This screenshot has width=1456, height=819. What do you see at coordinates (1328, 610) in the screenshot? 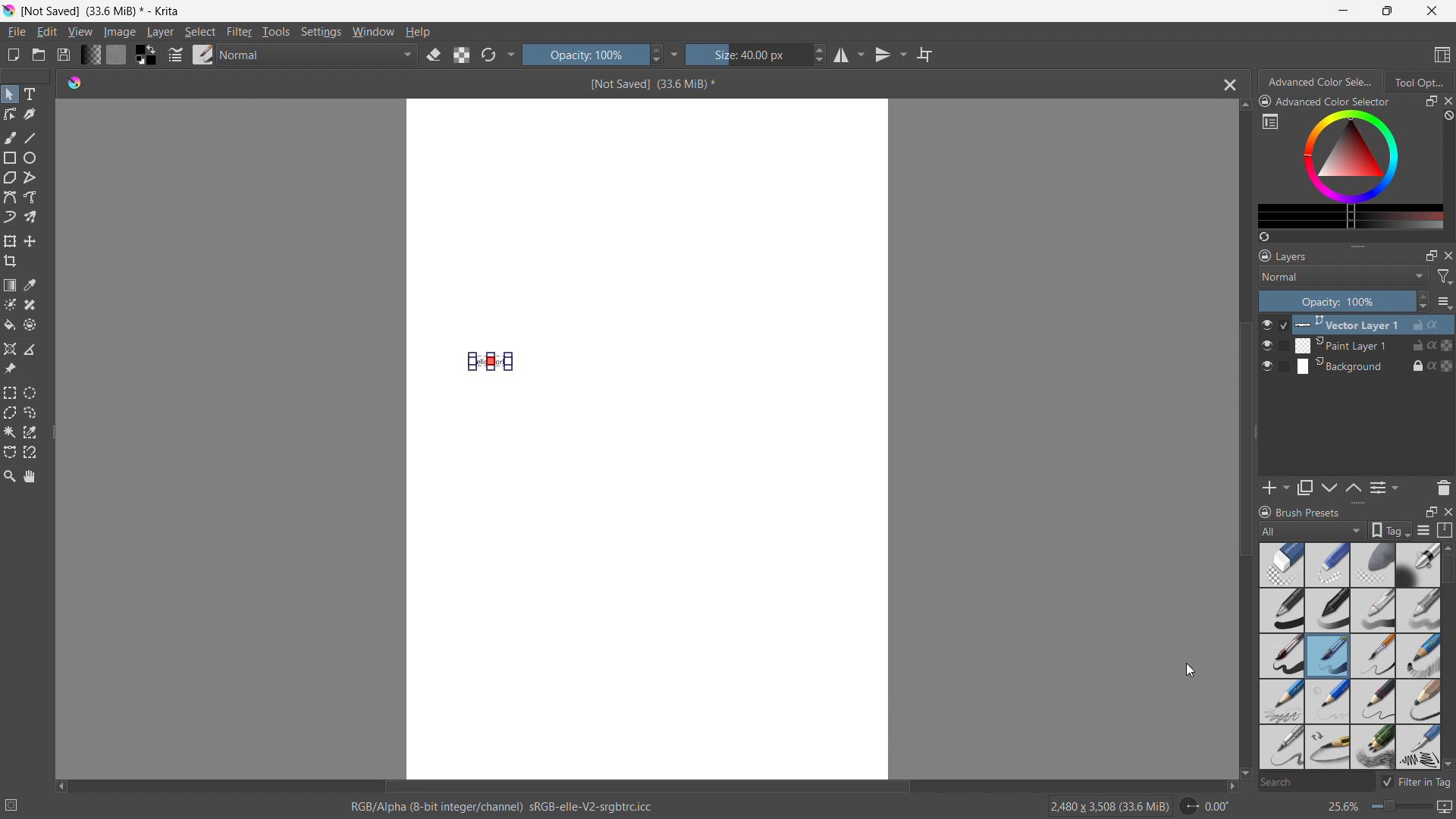
I see `pen` at bounding box center [1328, 610].